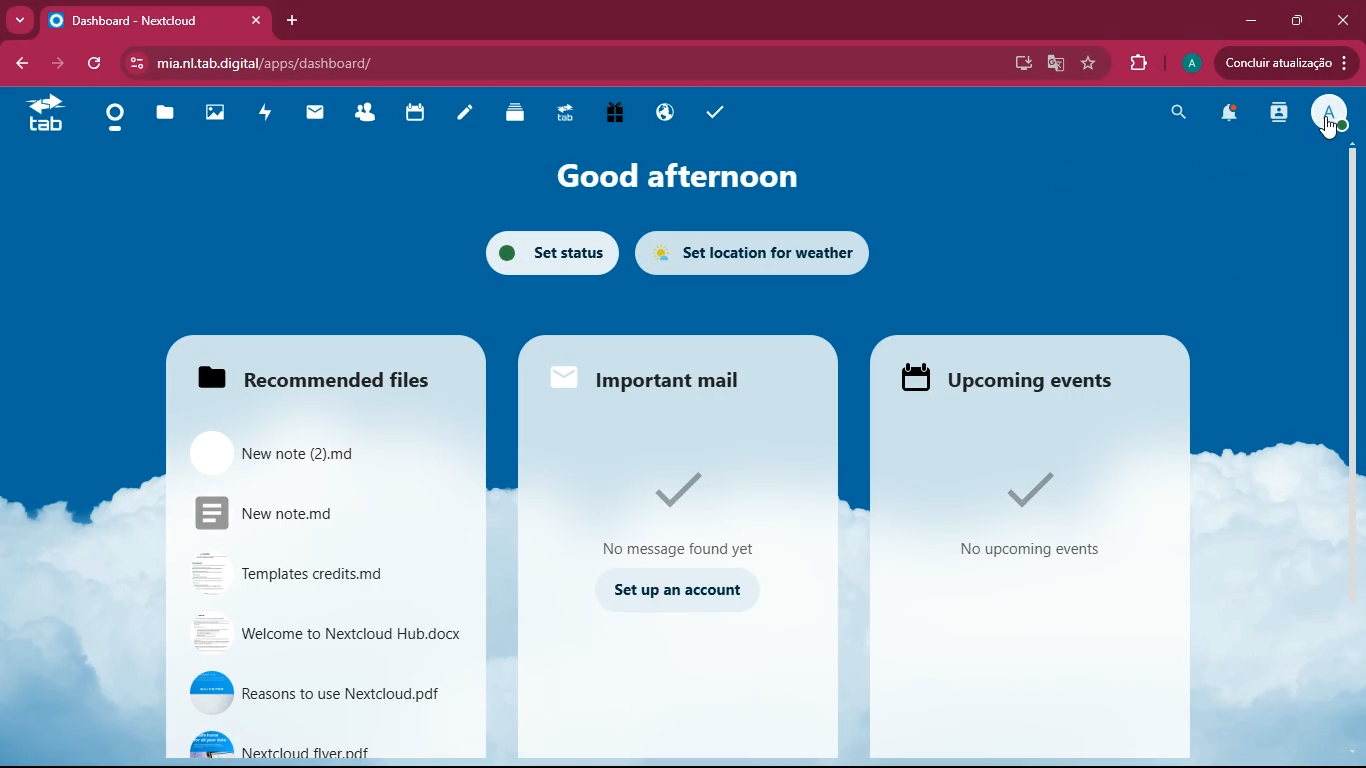 The height and width of the screenshot is (768, 1366). Describe the element at coordinates (1346, 320) in the screenshot. I see `scroll bar` at that location.